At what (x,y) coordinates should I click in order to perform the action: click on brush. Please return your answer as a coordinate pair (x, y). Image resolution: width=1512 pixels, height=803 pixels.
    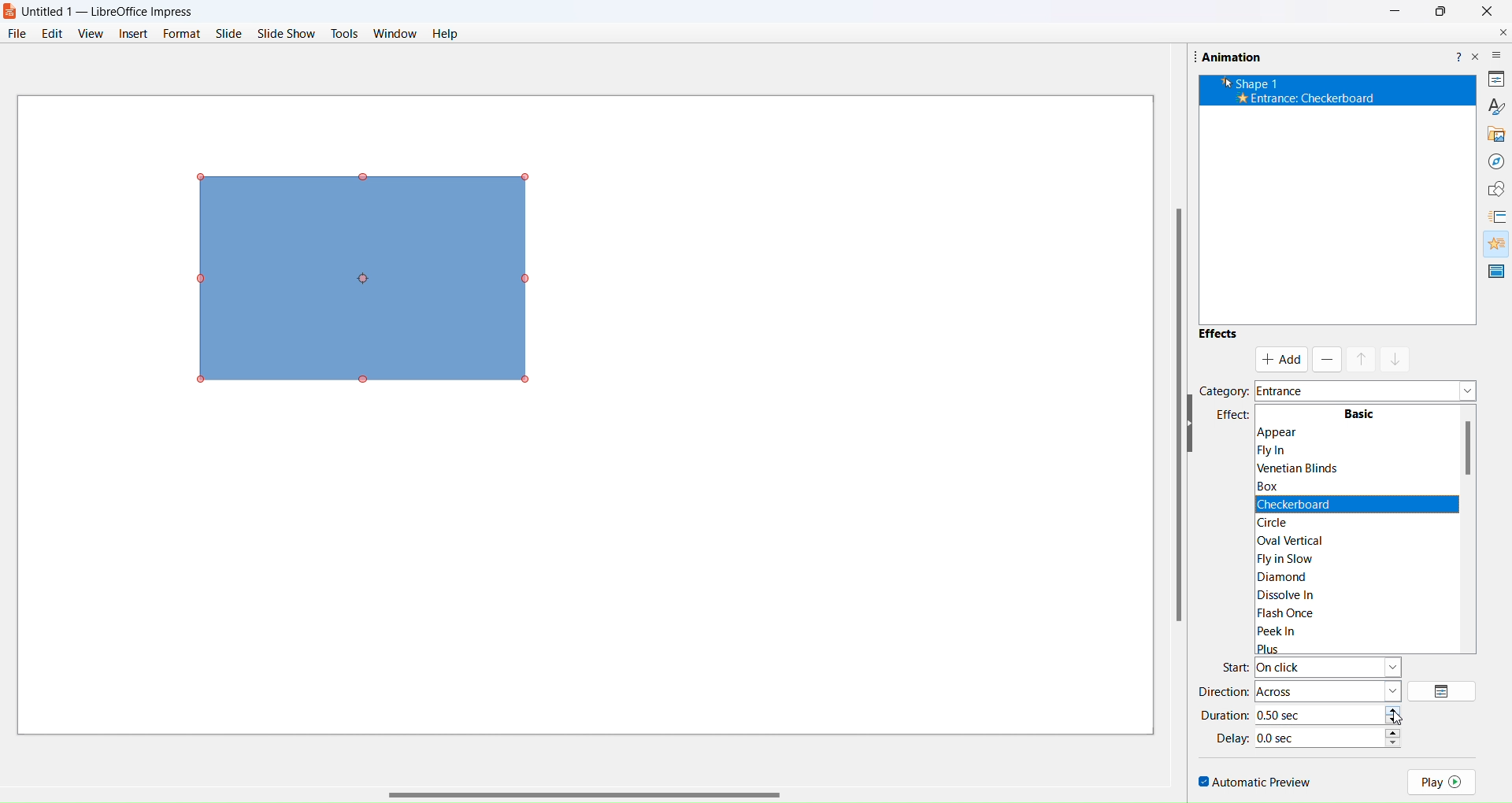
    Looking at the image, I should click on (1494, 105).